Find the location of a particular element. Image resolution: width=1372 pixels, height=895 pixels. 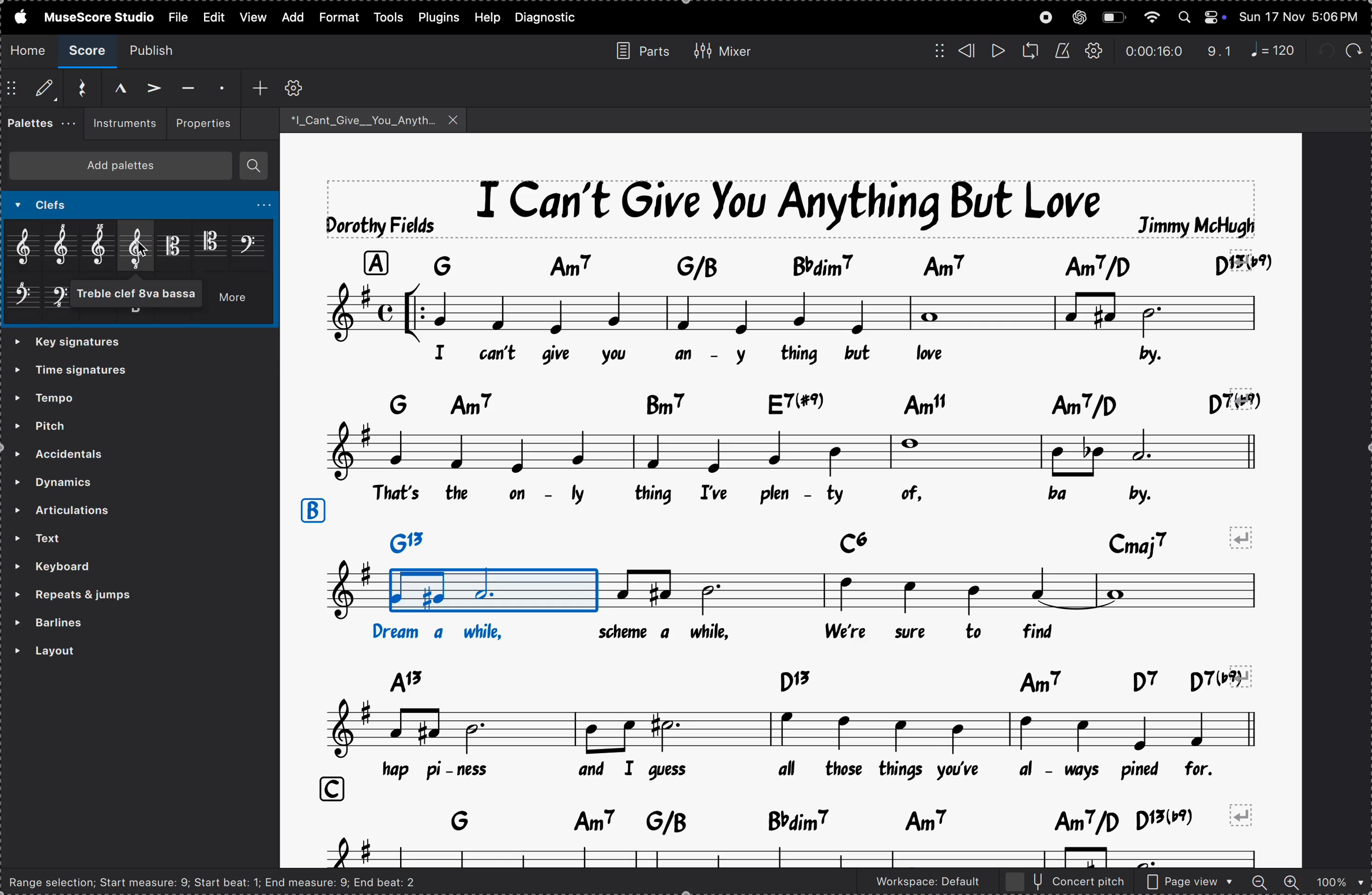

accidents is located at coordinates (85, 452).